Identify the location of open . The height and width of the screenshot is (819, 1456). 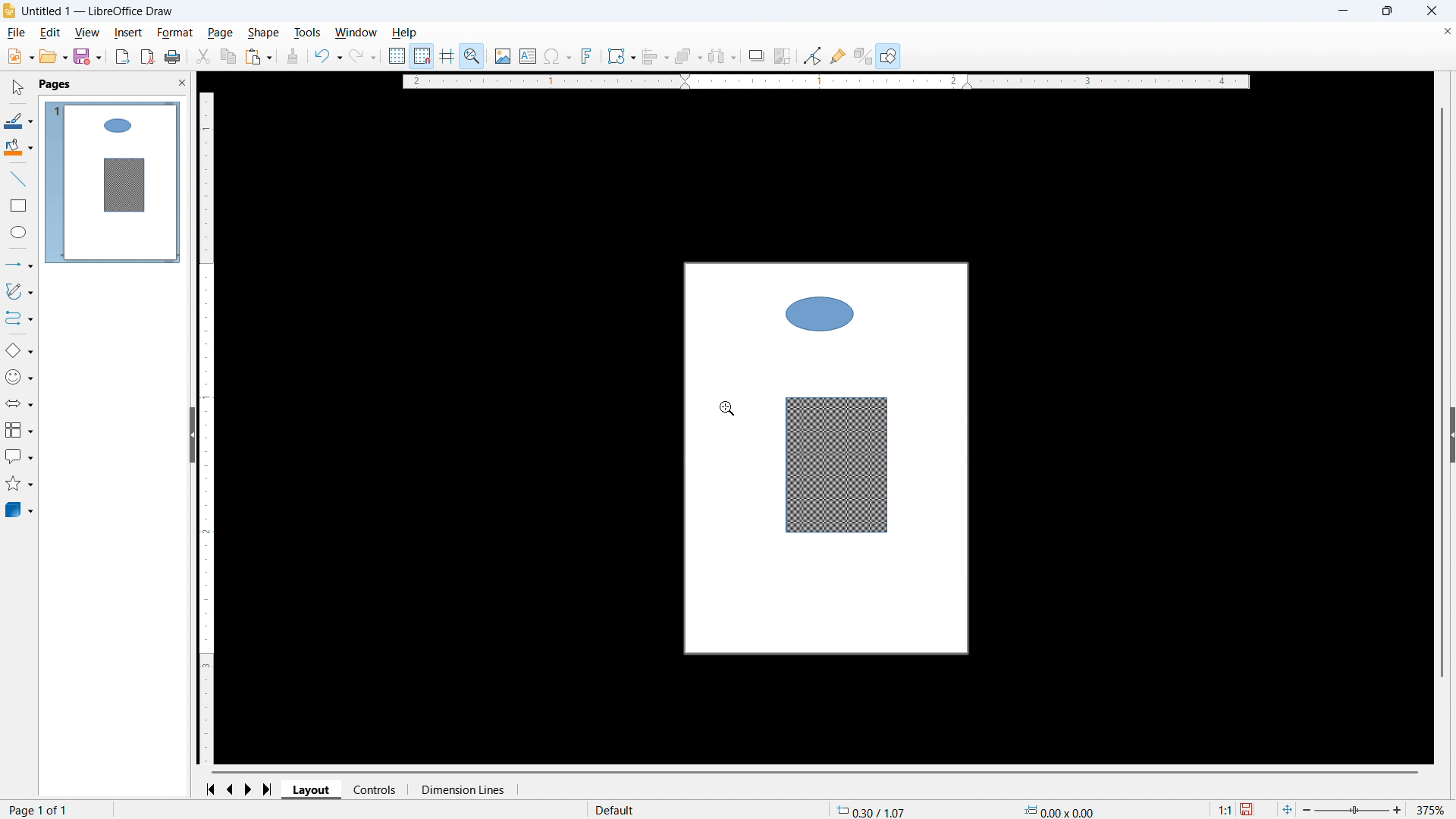
(53, 57).